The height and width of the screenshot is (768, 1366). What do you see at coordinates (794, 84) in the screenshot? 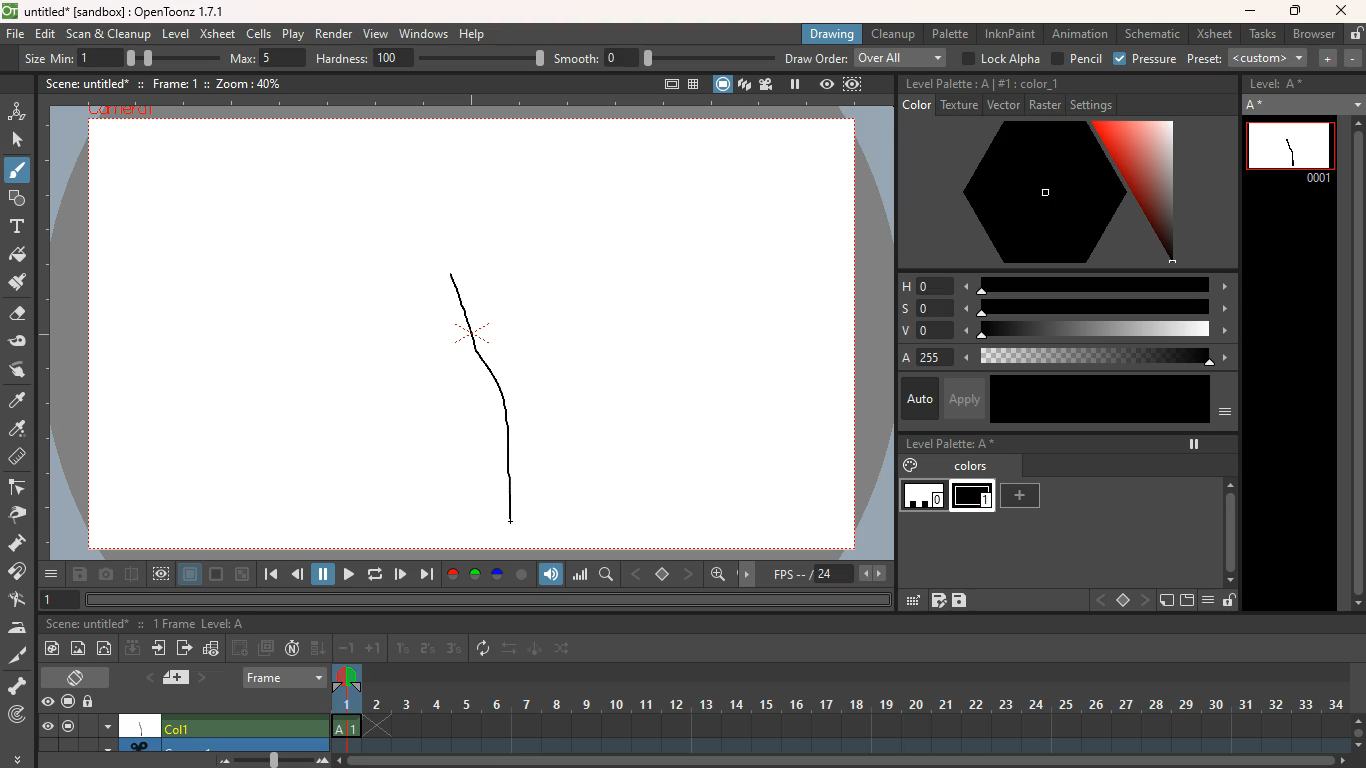
I see `pause` at bounding box center [794, 84].